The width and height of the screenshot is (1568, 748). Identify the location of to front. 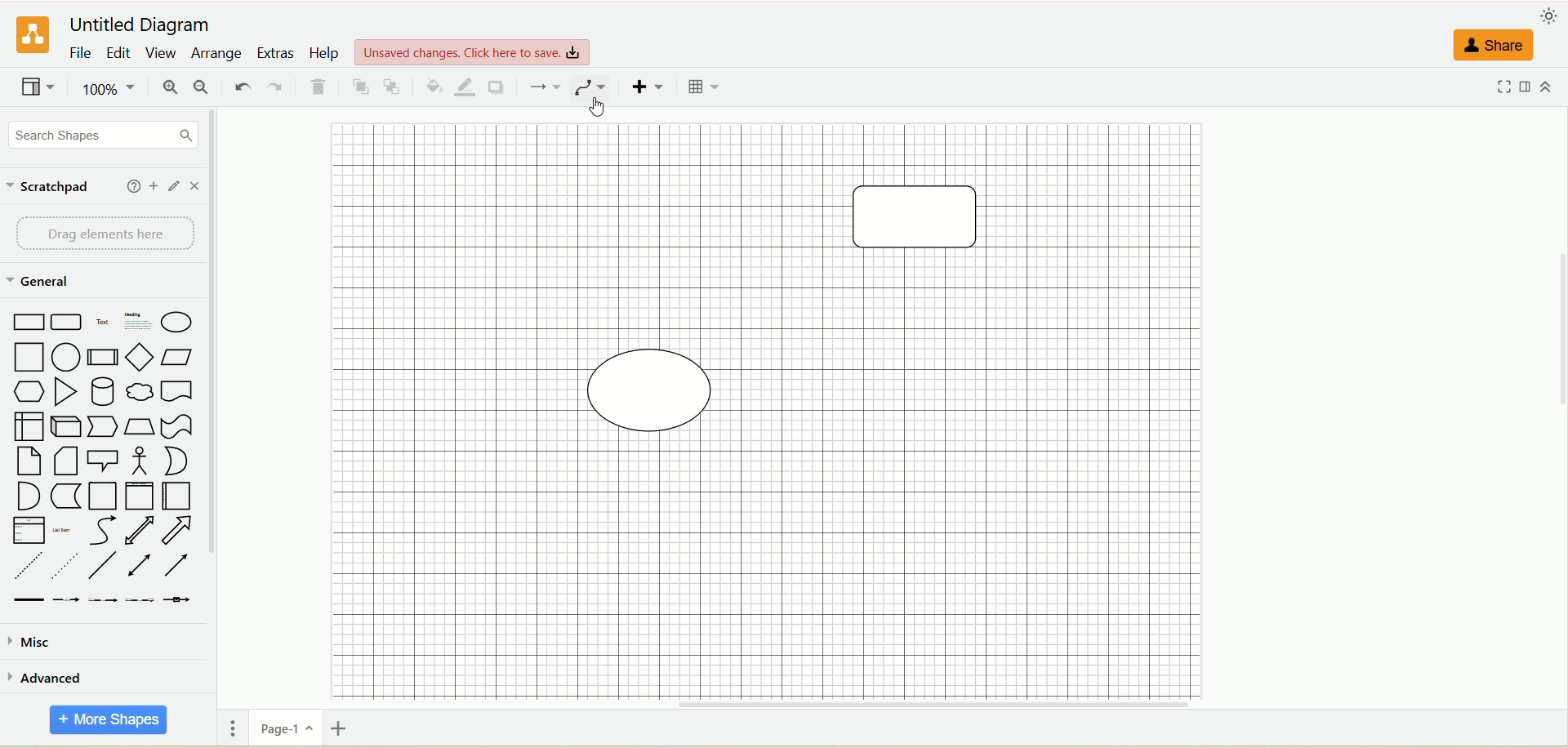
(359, 87).